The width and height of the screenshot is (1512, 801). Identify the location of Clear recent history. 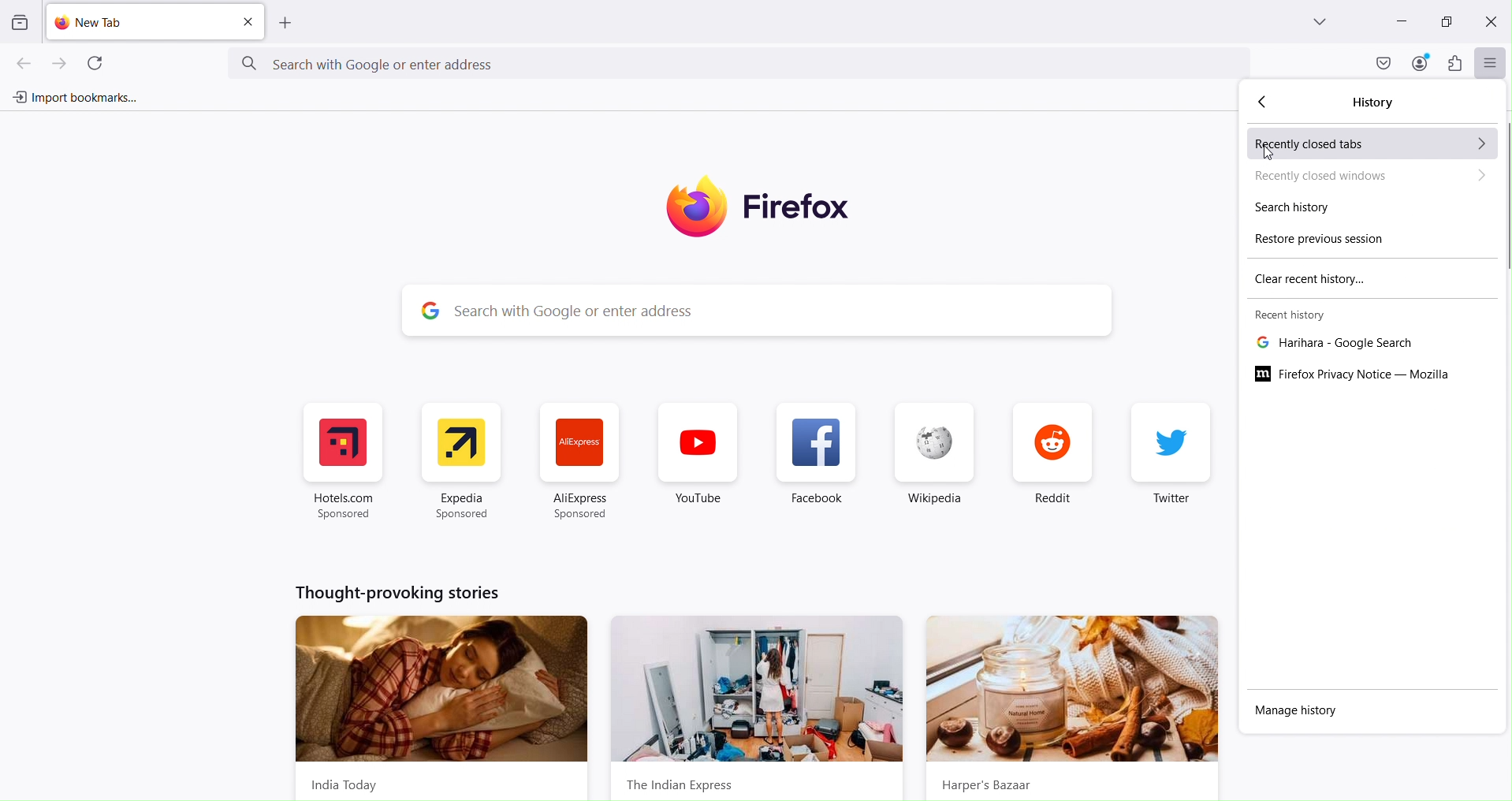
(1315, 279).